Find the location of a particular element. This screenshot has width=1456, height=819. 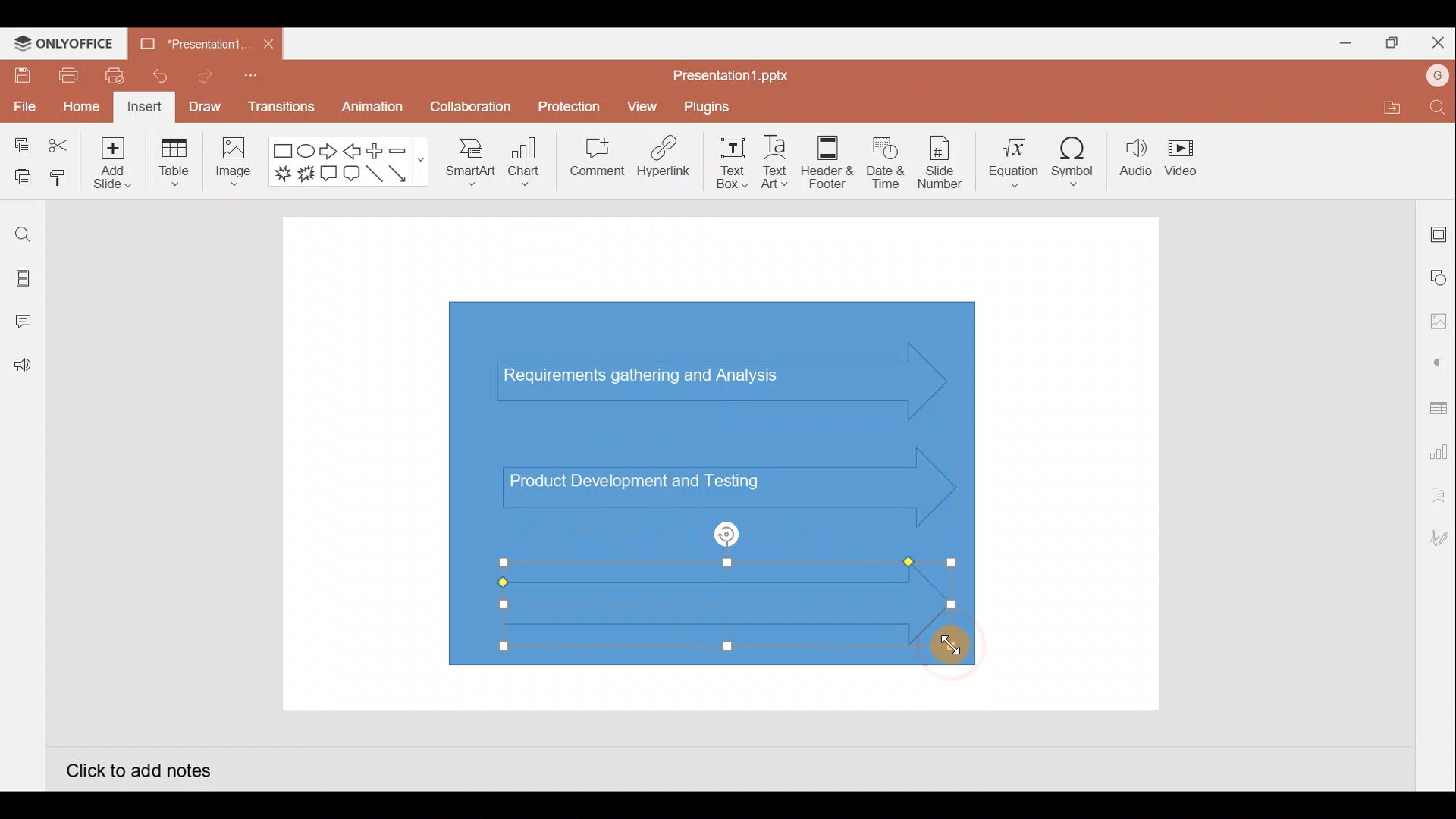

Text Art is located at coordinates (781, 158).